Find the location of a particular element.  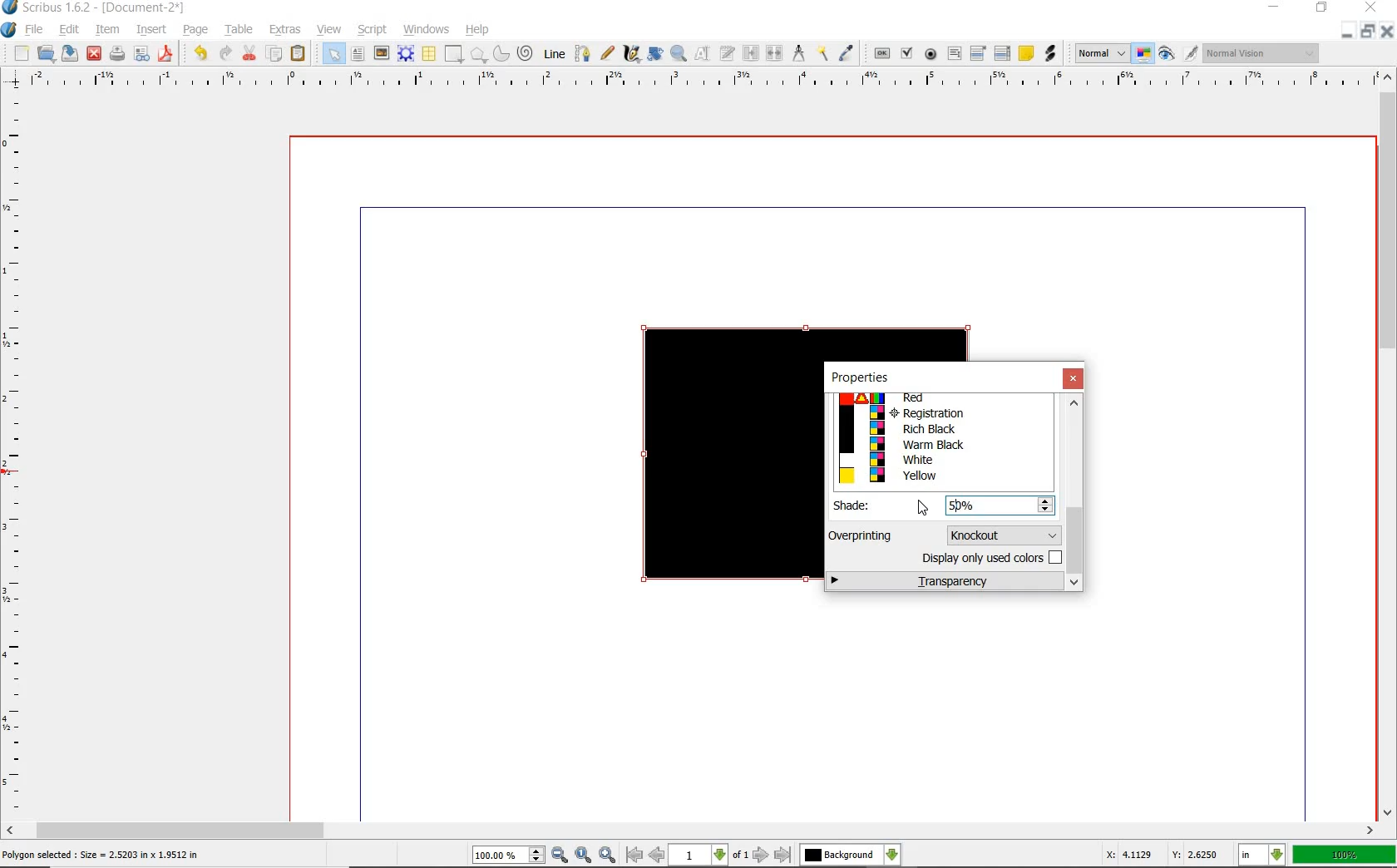

save as pdf is located at coordinates (167, 54).